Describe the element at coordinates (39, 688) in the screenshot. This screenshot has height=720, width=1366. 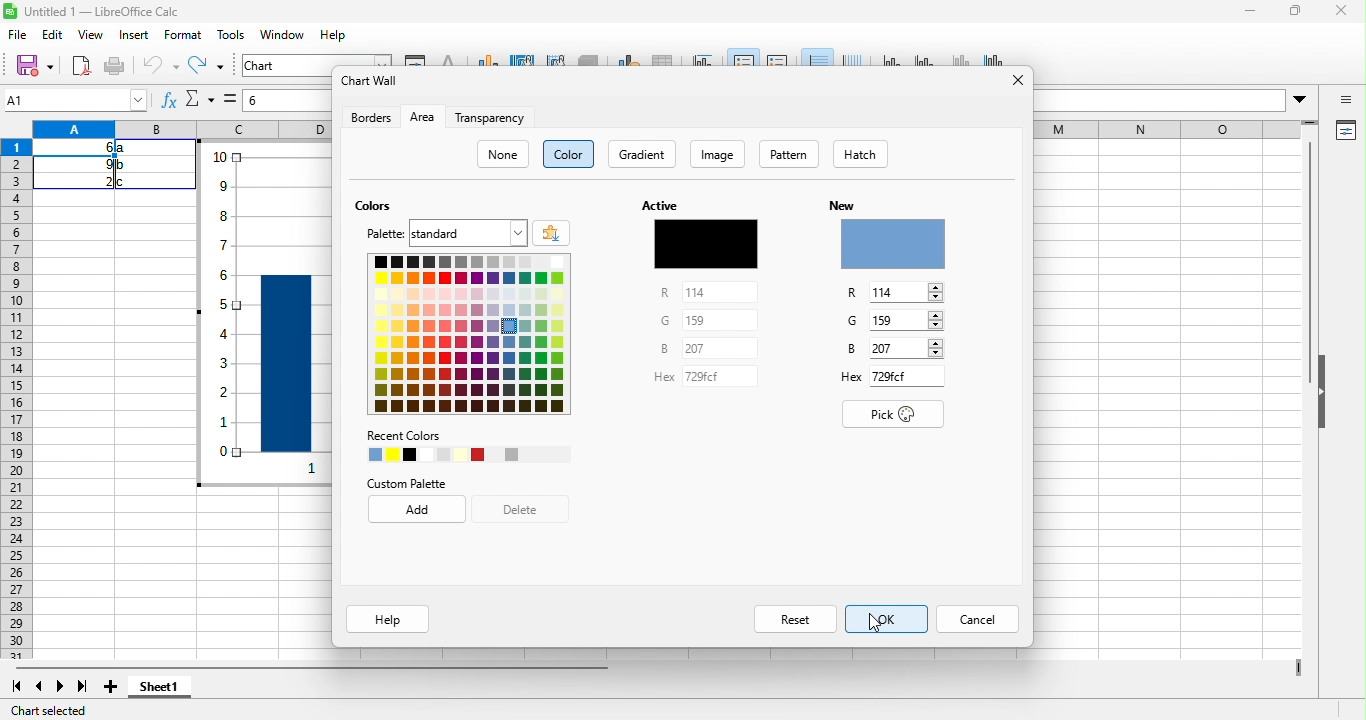
I see `previous` at that location.